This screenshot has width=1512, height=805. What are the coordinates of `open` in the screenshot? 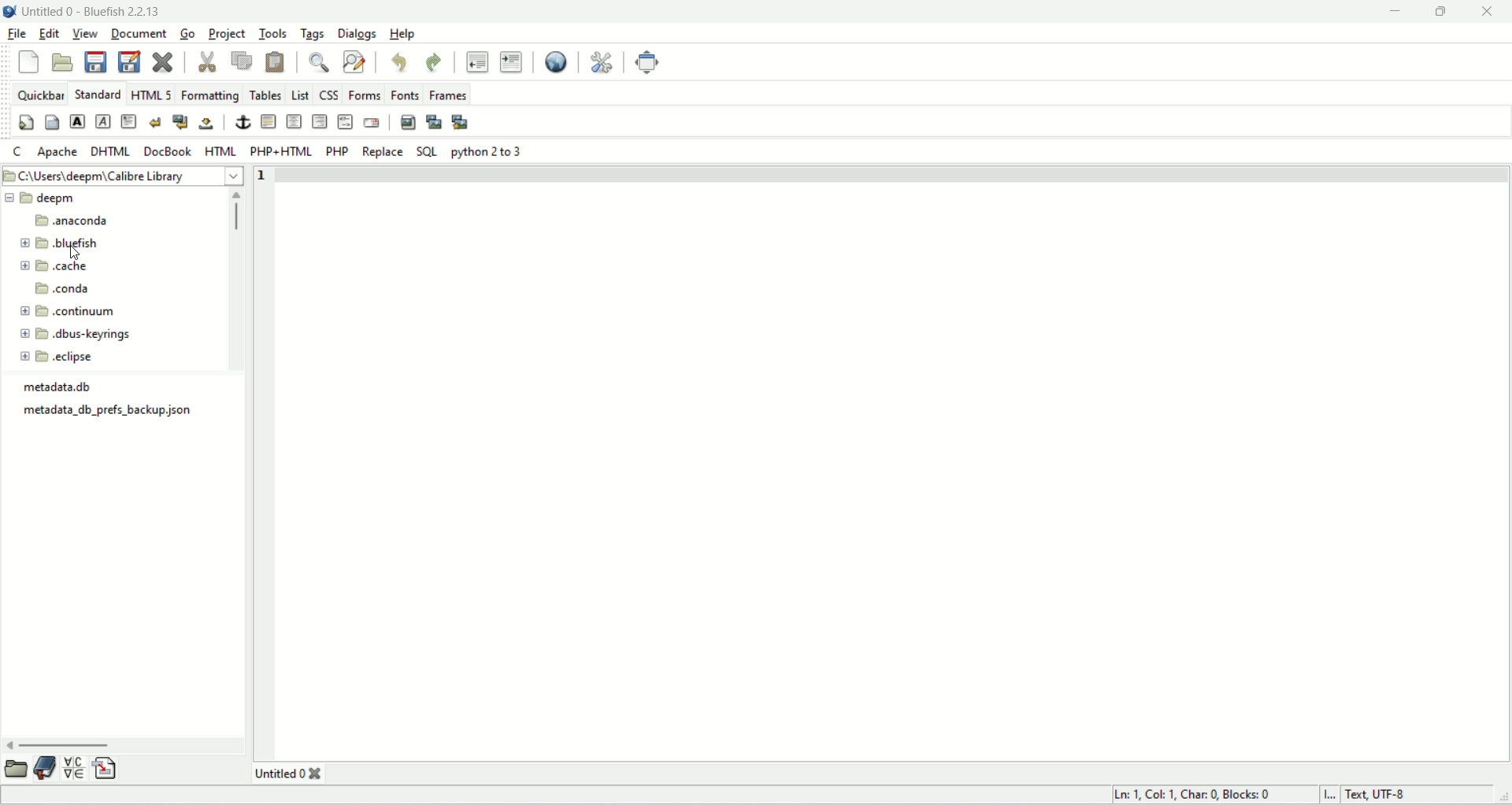 It's located at (18, 767).